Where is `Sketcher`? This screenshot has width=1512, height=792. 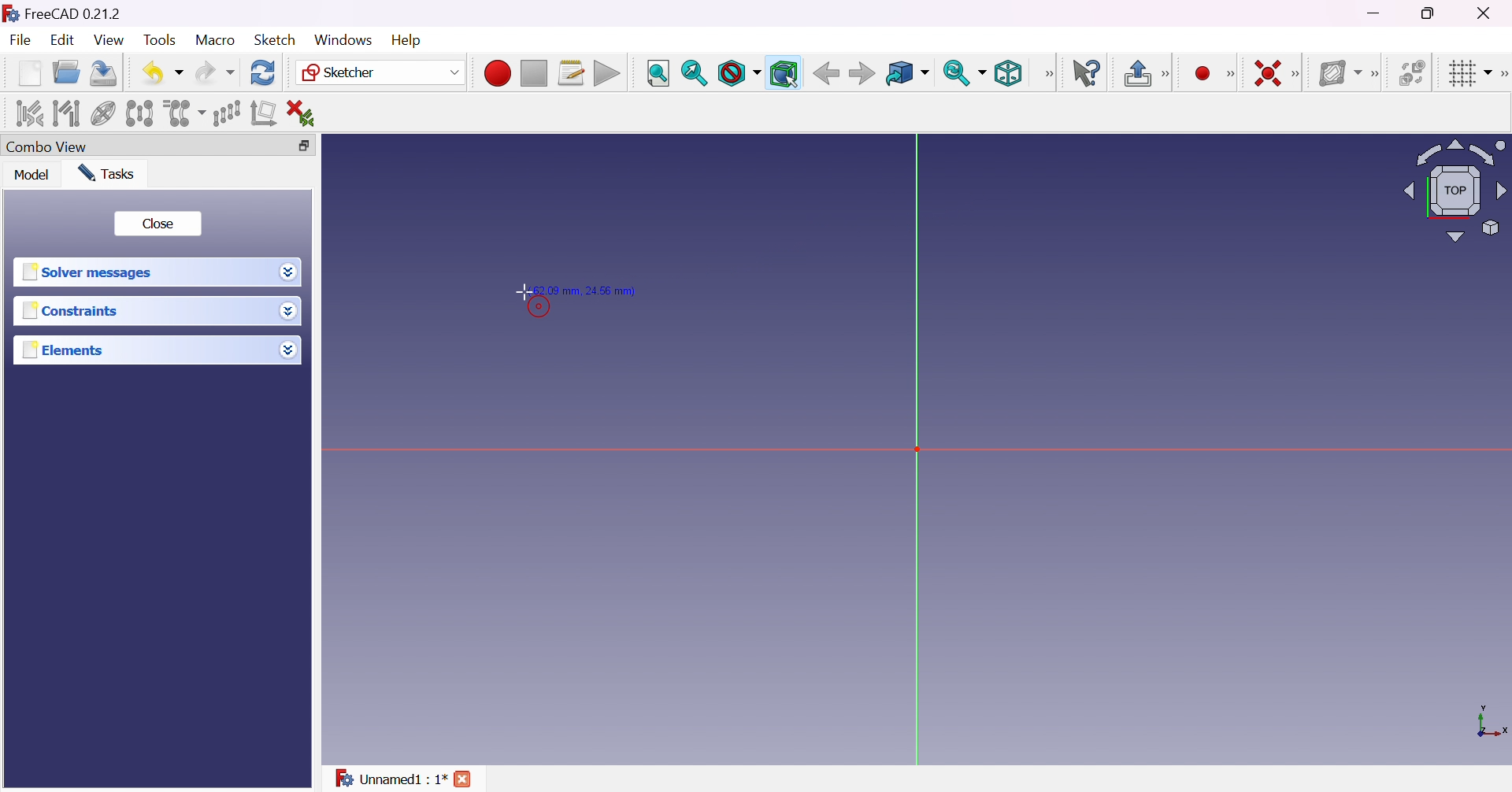
Sketcher is located at coordinates (378, 72).